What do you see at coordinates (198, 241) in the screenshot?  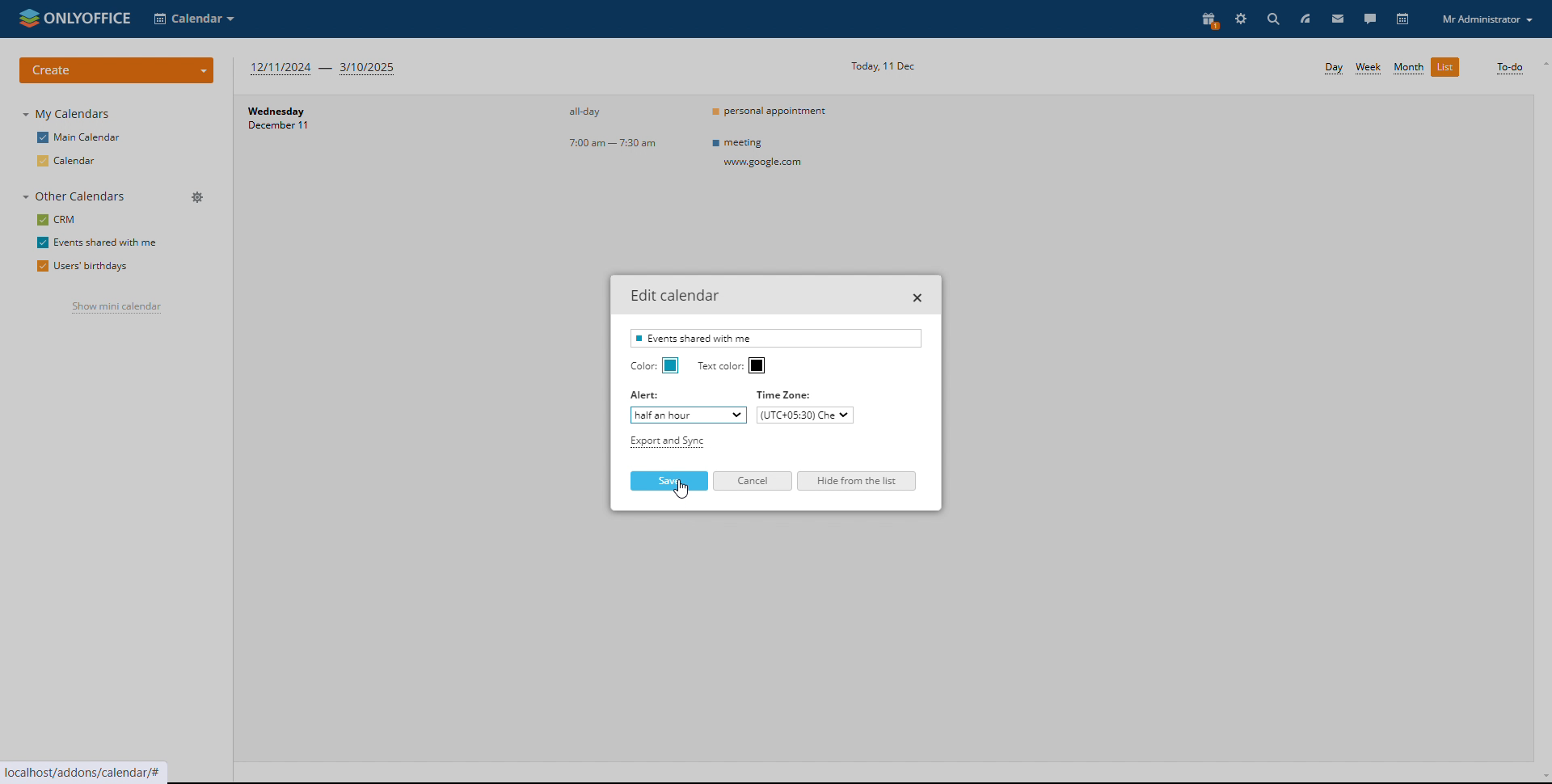 I see `edit calendar` at bounding box center [198, 241].